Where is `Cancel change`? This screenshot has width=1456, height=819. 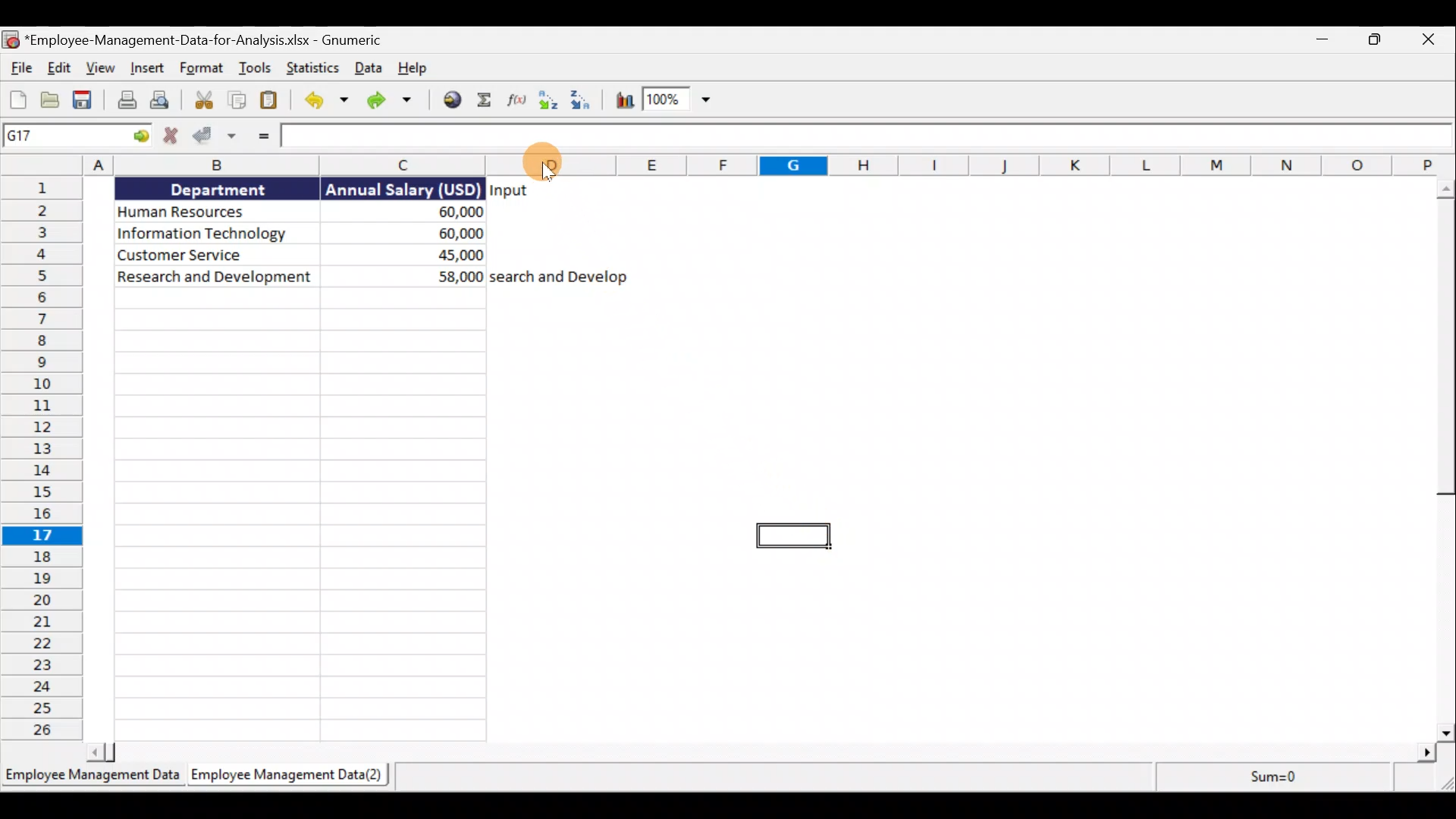 Cancel change is located at coordinates (174, 134).